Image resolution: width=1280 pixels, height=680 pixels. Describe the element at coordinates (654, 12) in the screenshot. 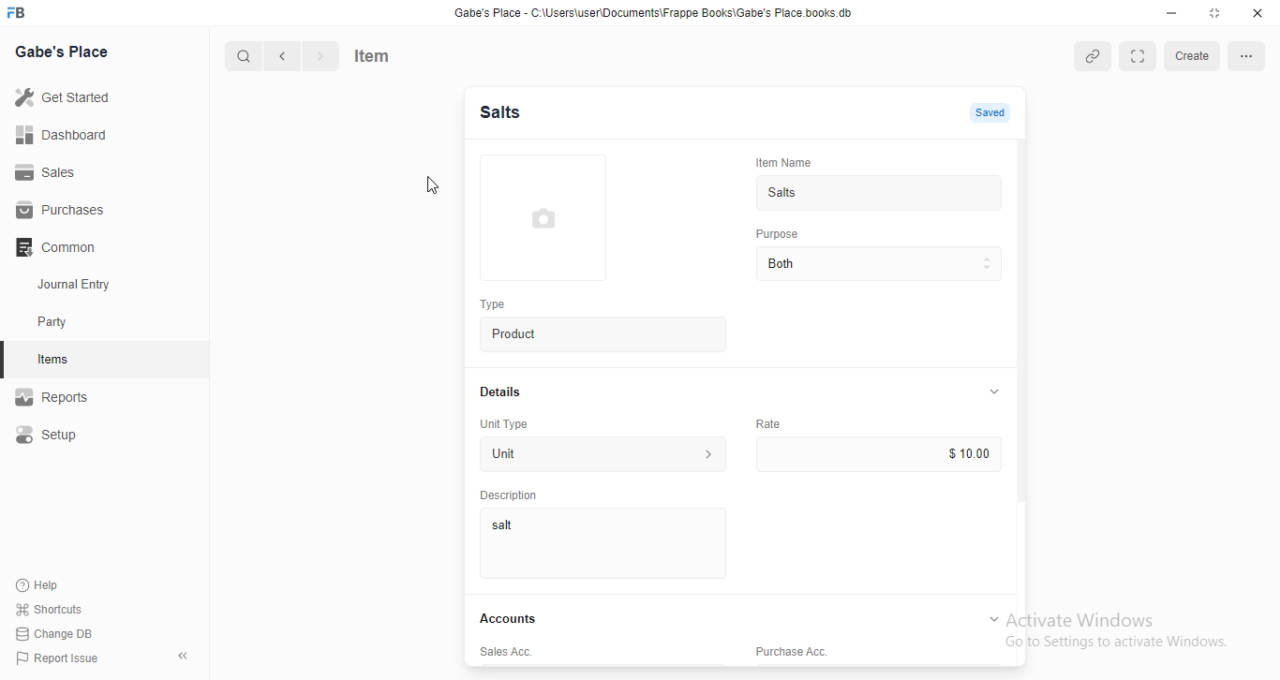

I see `‘Gabe's Place - C \Users\usenDocuments\Frappe Books\Gabe's Place books db` at that location.